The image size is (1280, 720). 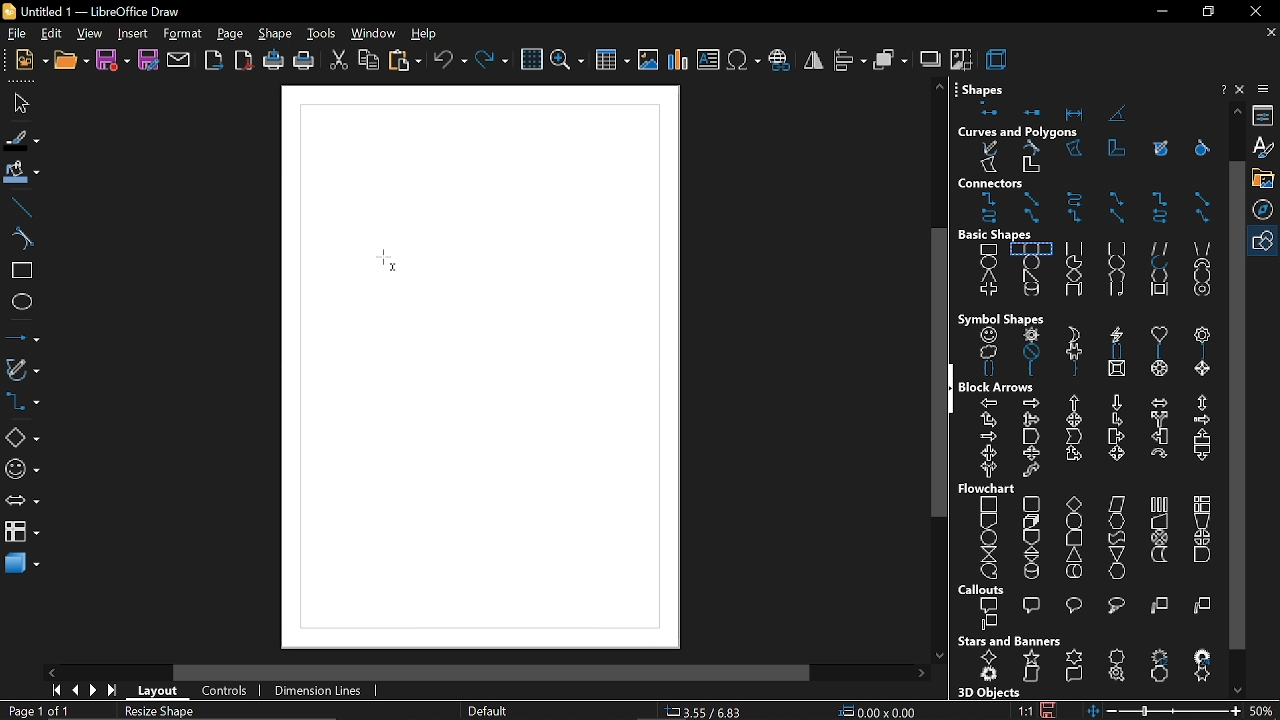 What do you see at coordinates (224, 692) in the screenshot?
I see `controls` at bounding box center [224, 692].